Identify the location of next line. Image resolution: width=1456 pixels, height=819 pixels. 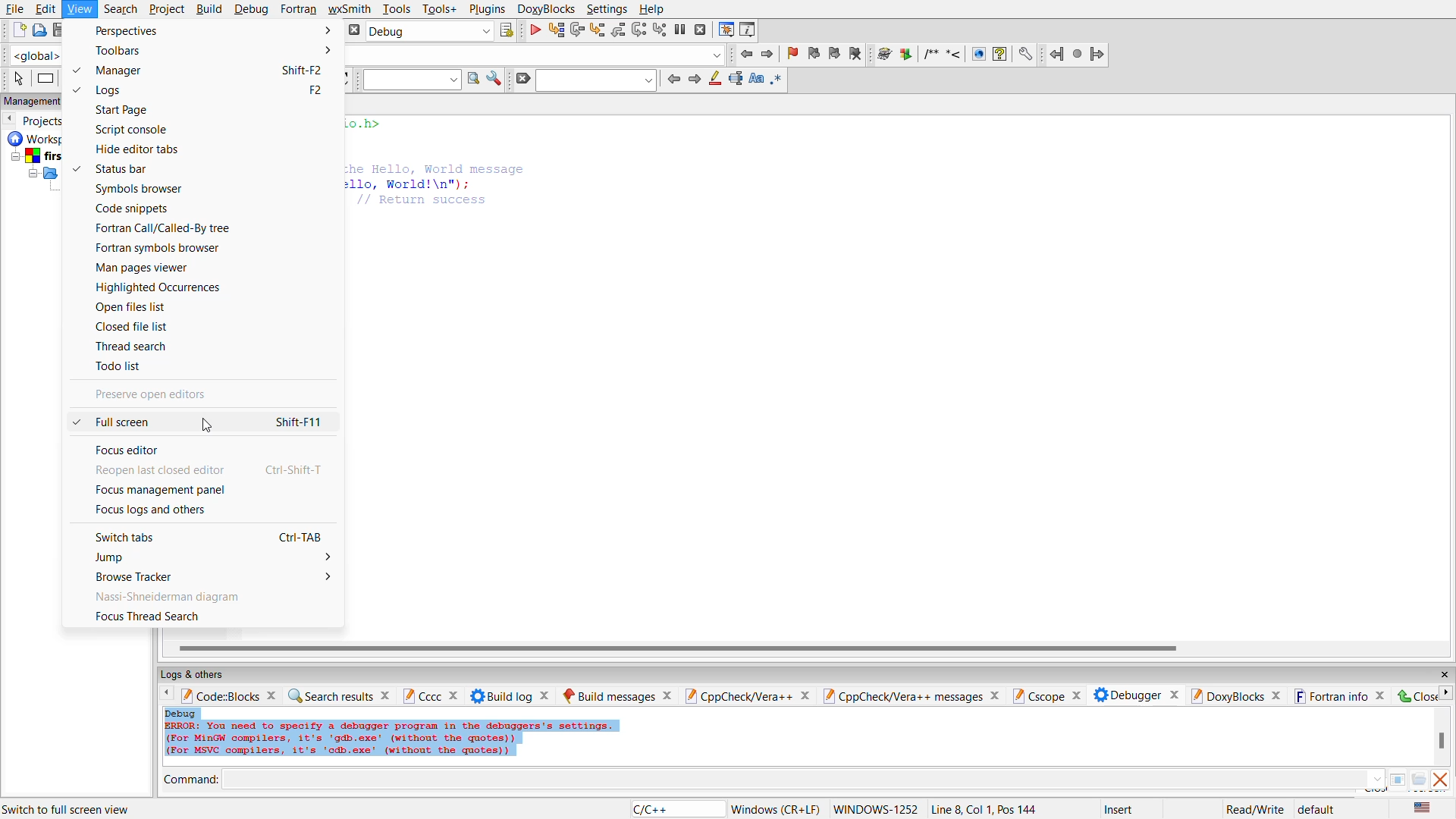
(577, 31).